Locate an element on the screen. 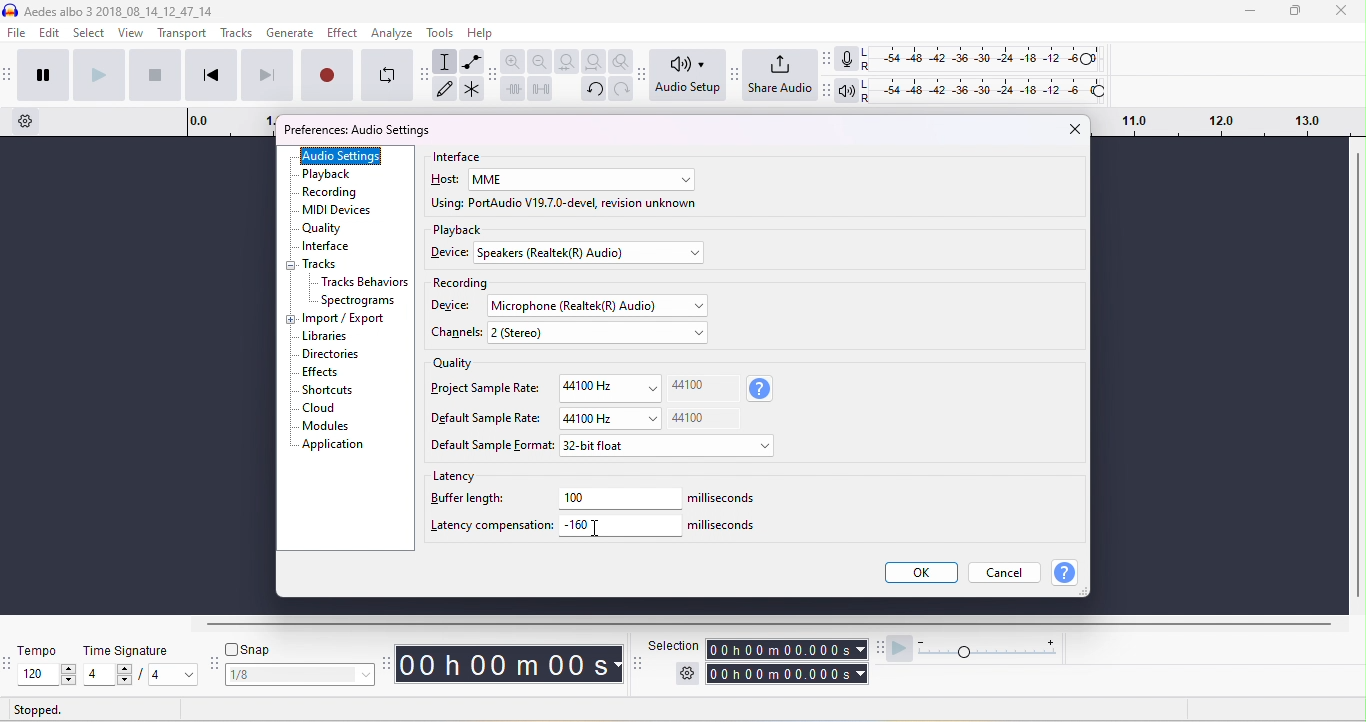 This screenshot has height=722, width=1366. sample rate information is located at coordinates (761, 389).